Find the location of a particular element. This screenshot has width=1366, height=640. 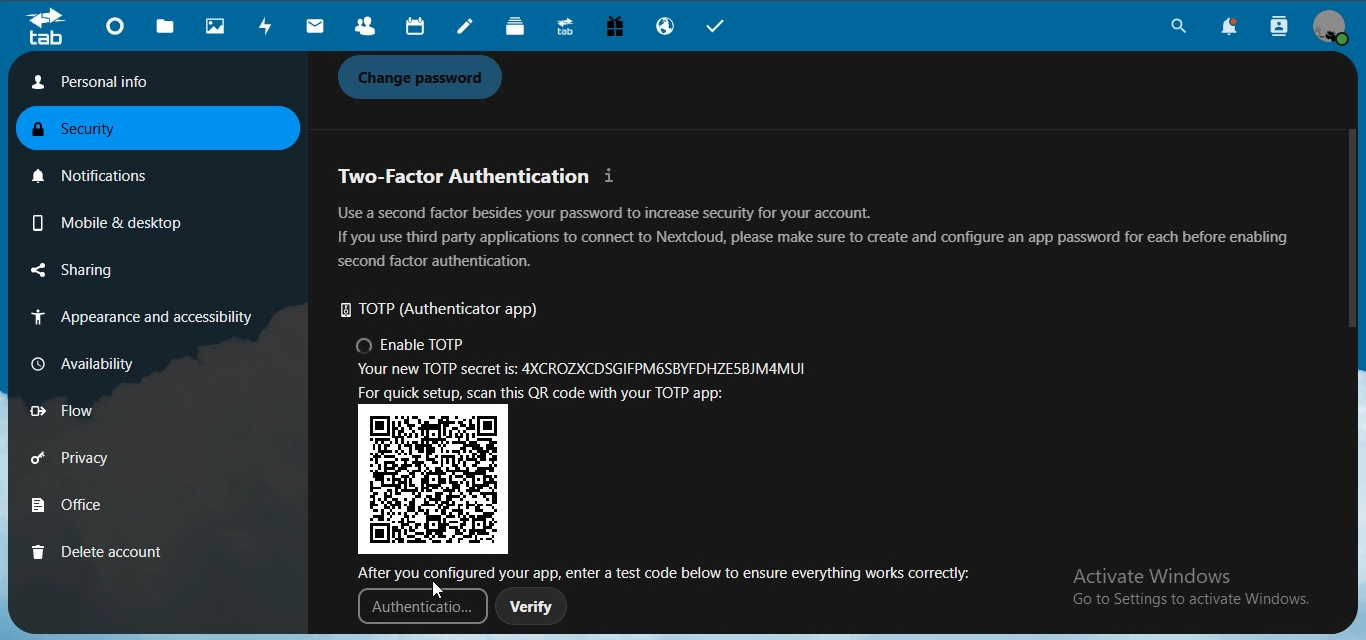

privacy is located at coordinates (98, 461).